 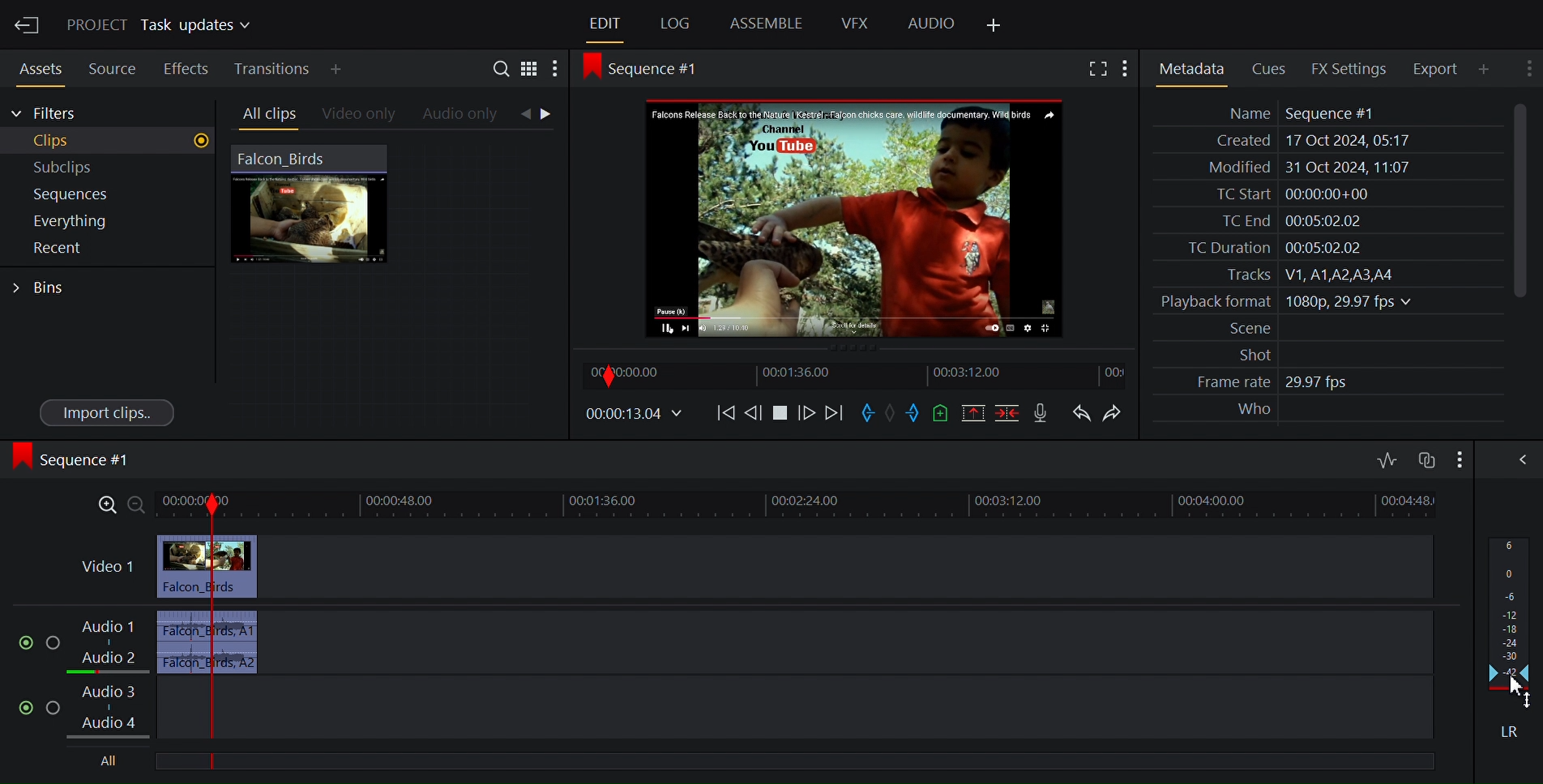 What do you see at coordinates (138, 505) in the screenshot?
I see `Zoom out` at bounding box center [138, 505].